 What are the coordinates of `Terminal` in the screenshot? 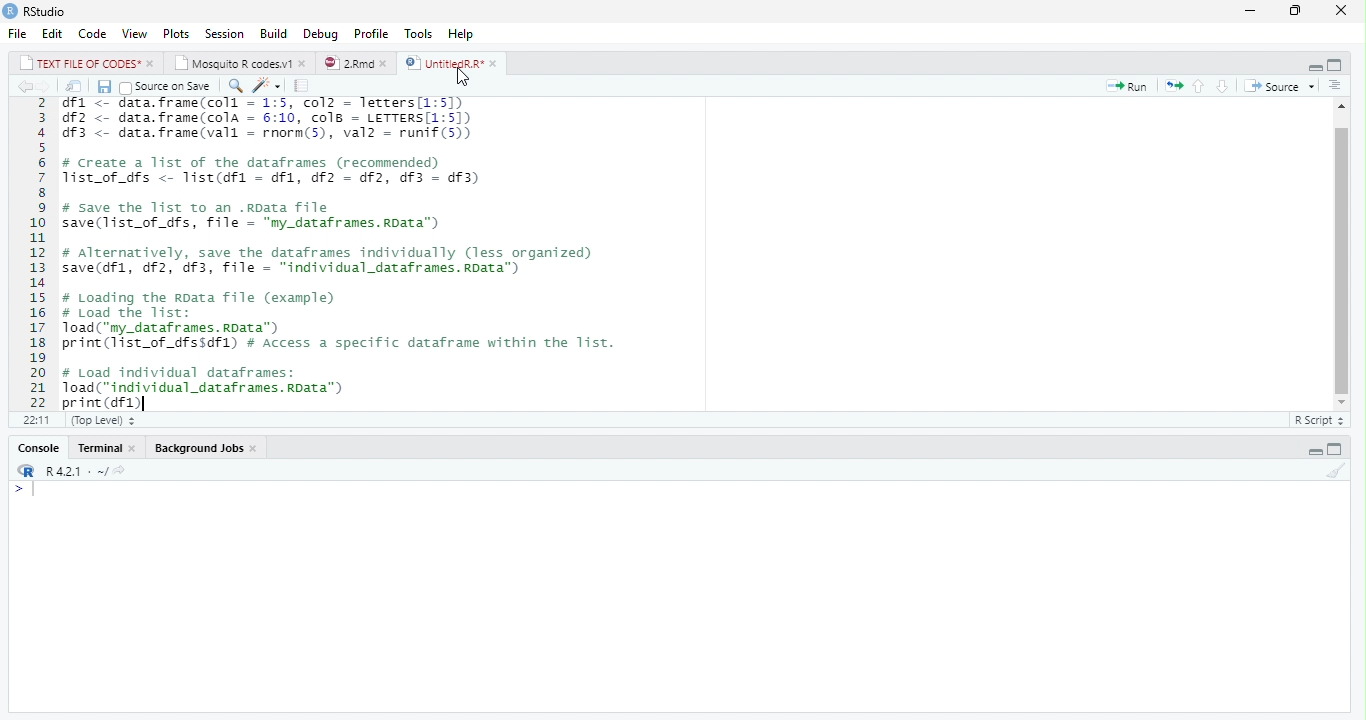 It's located at (108, 448).